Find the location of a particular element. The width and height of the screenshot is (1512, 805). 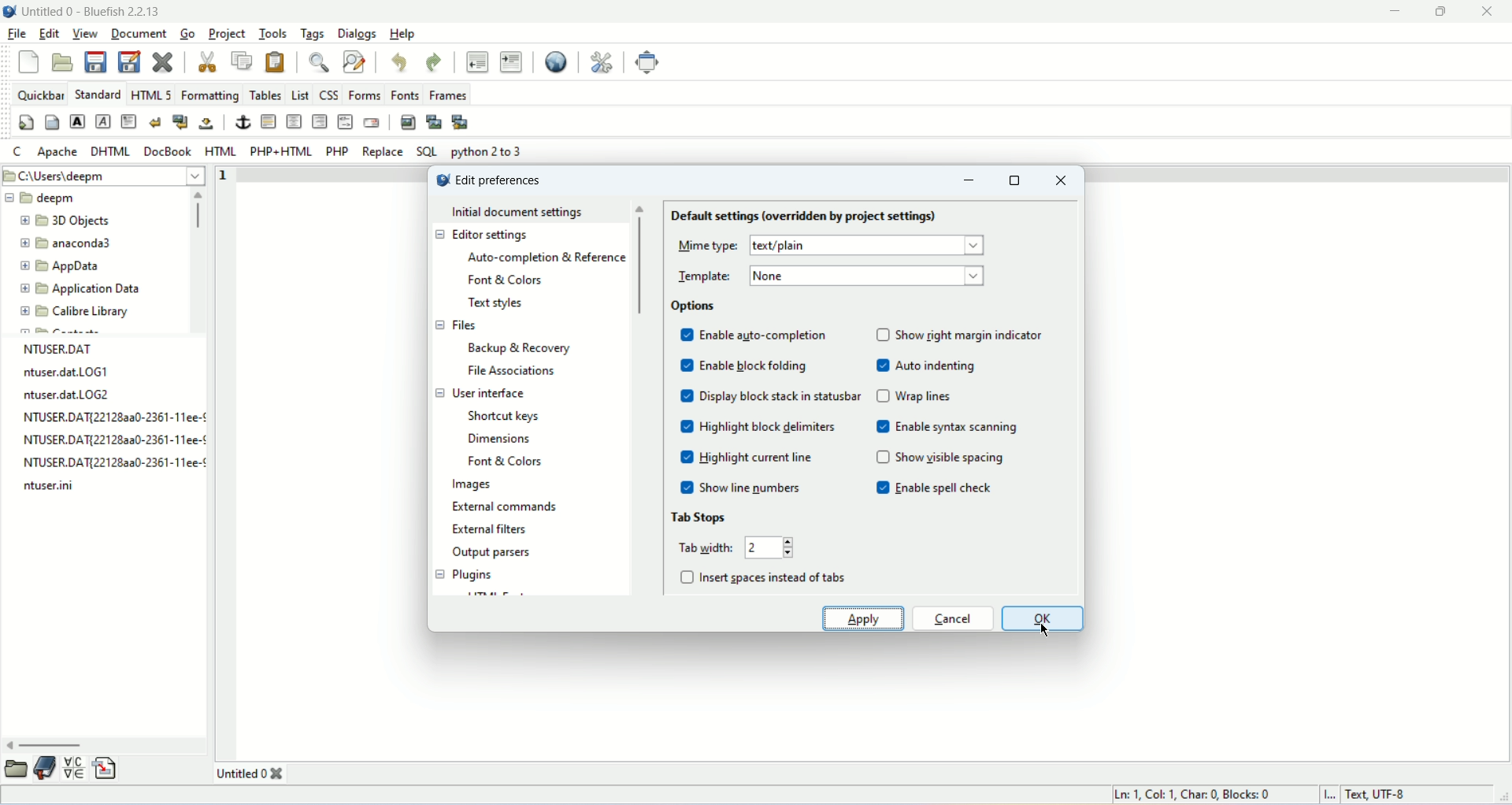

PHP+HTML is located at coordinates (281, 150).